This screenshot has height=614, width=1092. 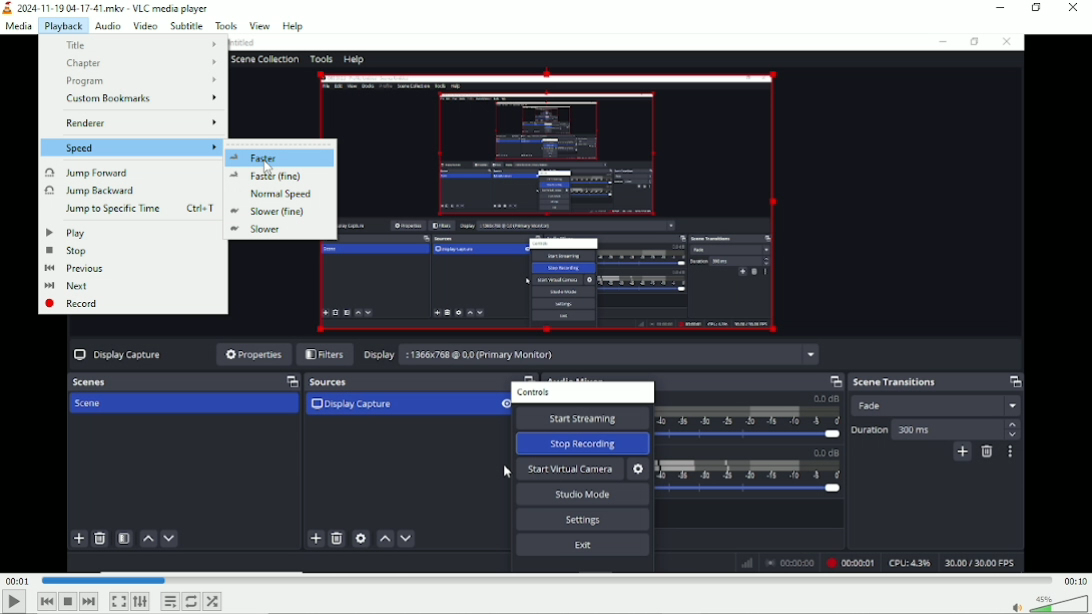 What do you see at coordinates (213, 602) in the screenshot?
I see `random` at bounding box center [213, 602].